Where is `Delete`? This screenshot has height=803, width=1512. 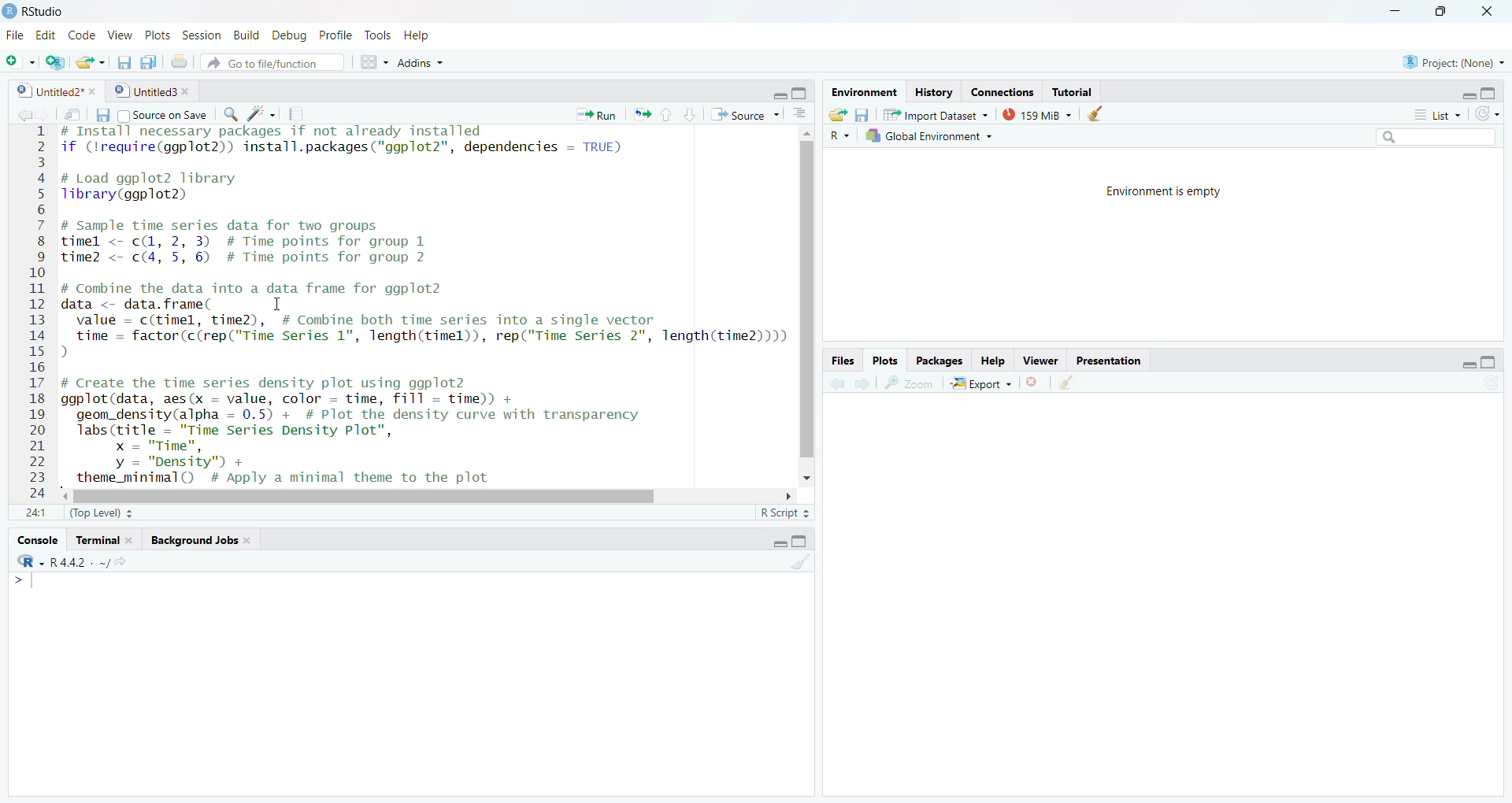 Delete is located at coordinates (1033, 383).